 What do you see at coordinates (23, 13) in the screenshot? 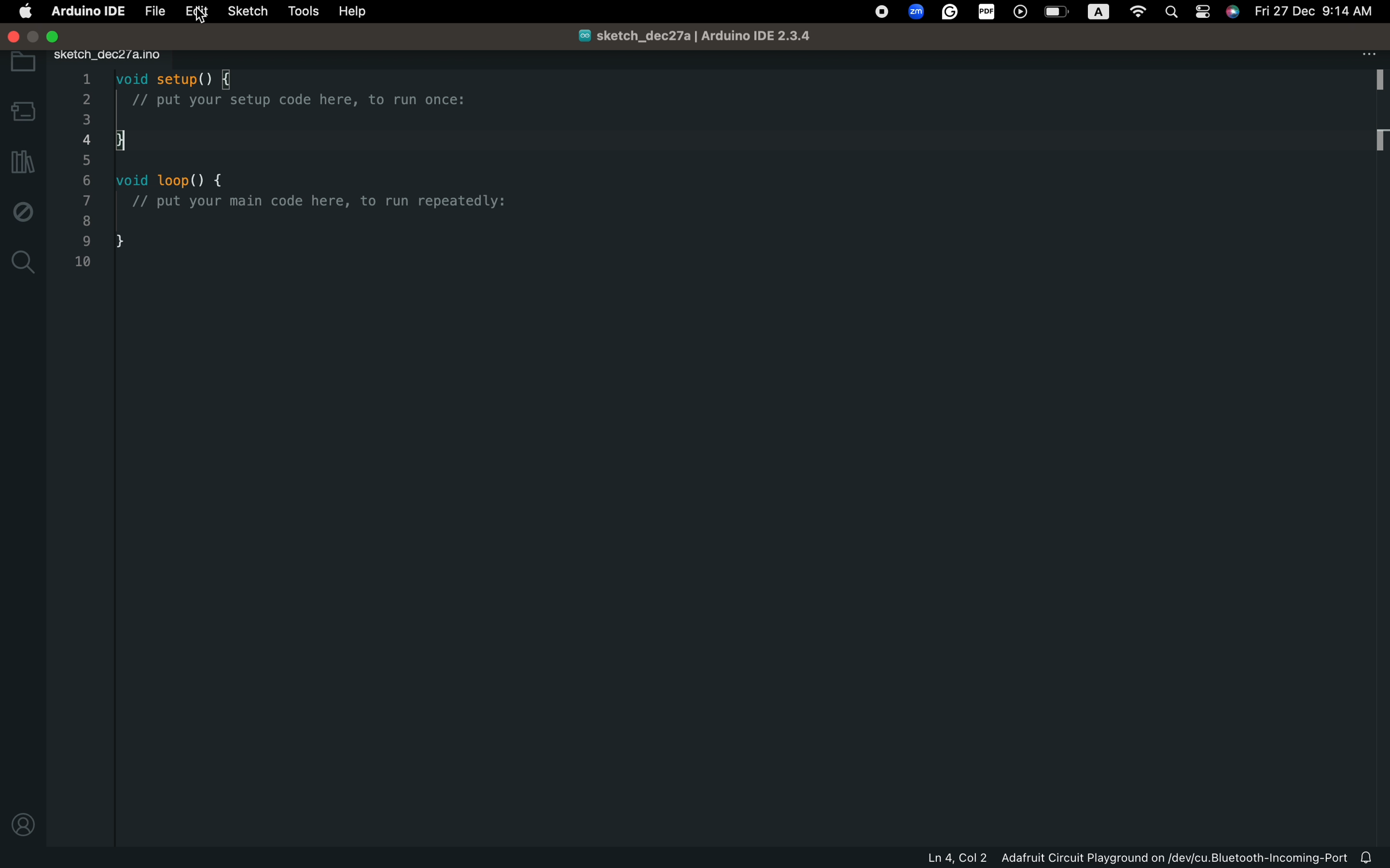
I see `main setting` at bounding box center [23, 13].